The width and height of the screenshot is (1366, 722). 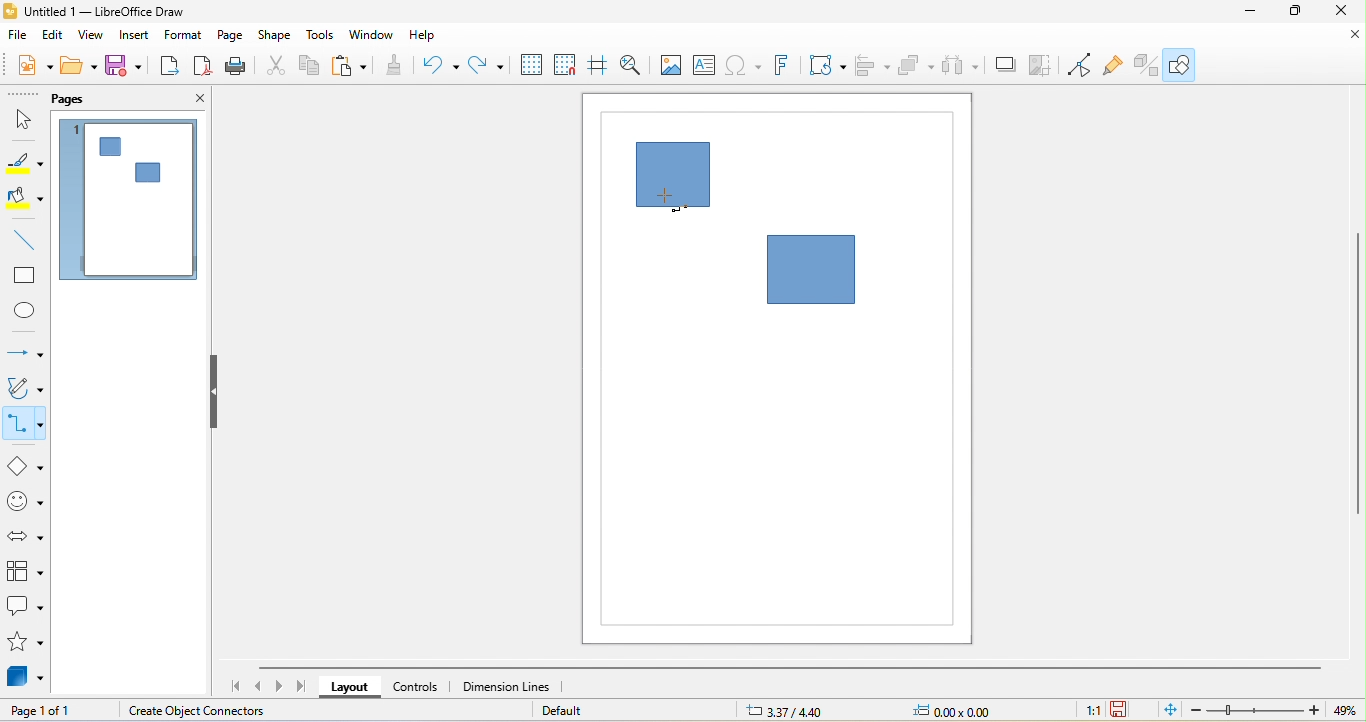 What do you see at coordinates (704, 65) in the screenshot?
I see `text box` at bounding box center [704, 65].